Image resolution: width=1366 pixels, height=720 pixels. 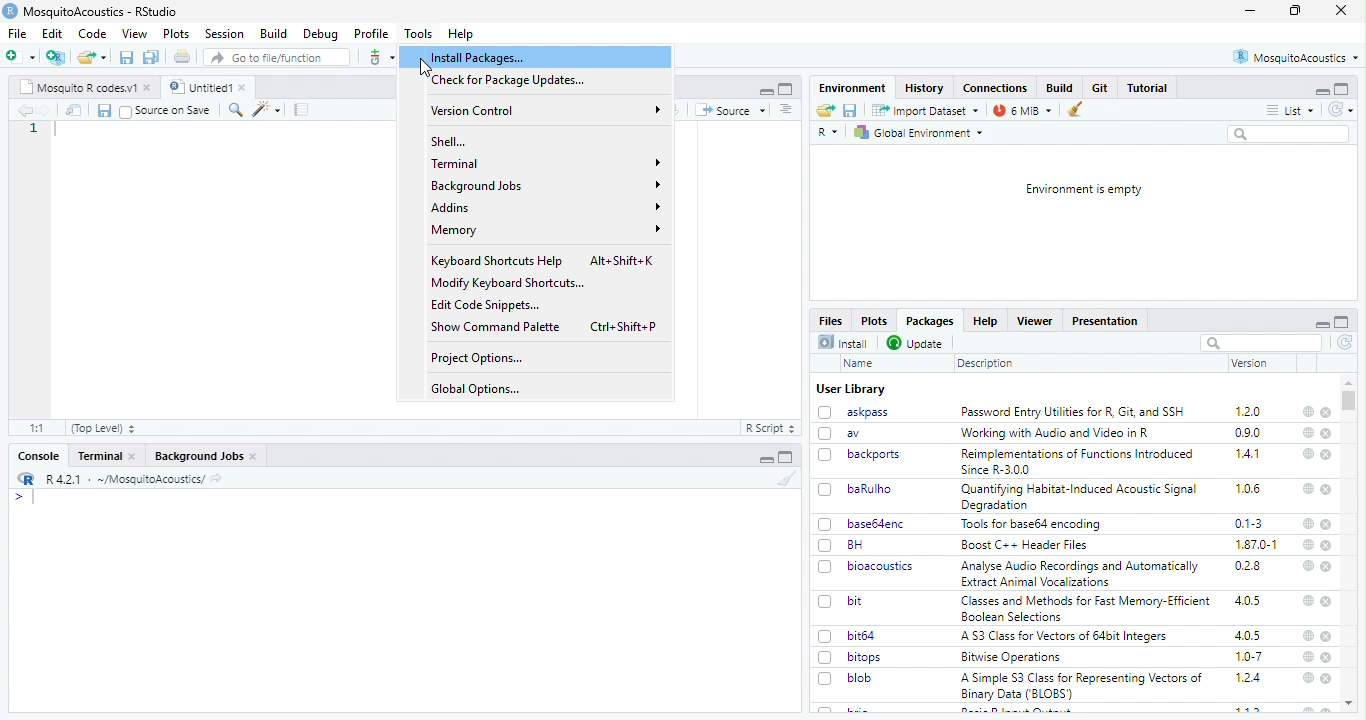 What do you see at coordinates (1081, 462) in the screenshot?
I see `Reimplementations of Functions Introduced
Since R-3.0.0` at bounding box center [1081, 462].